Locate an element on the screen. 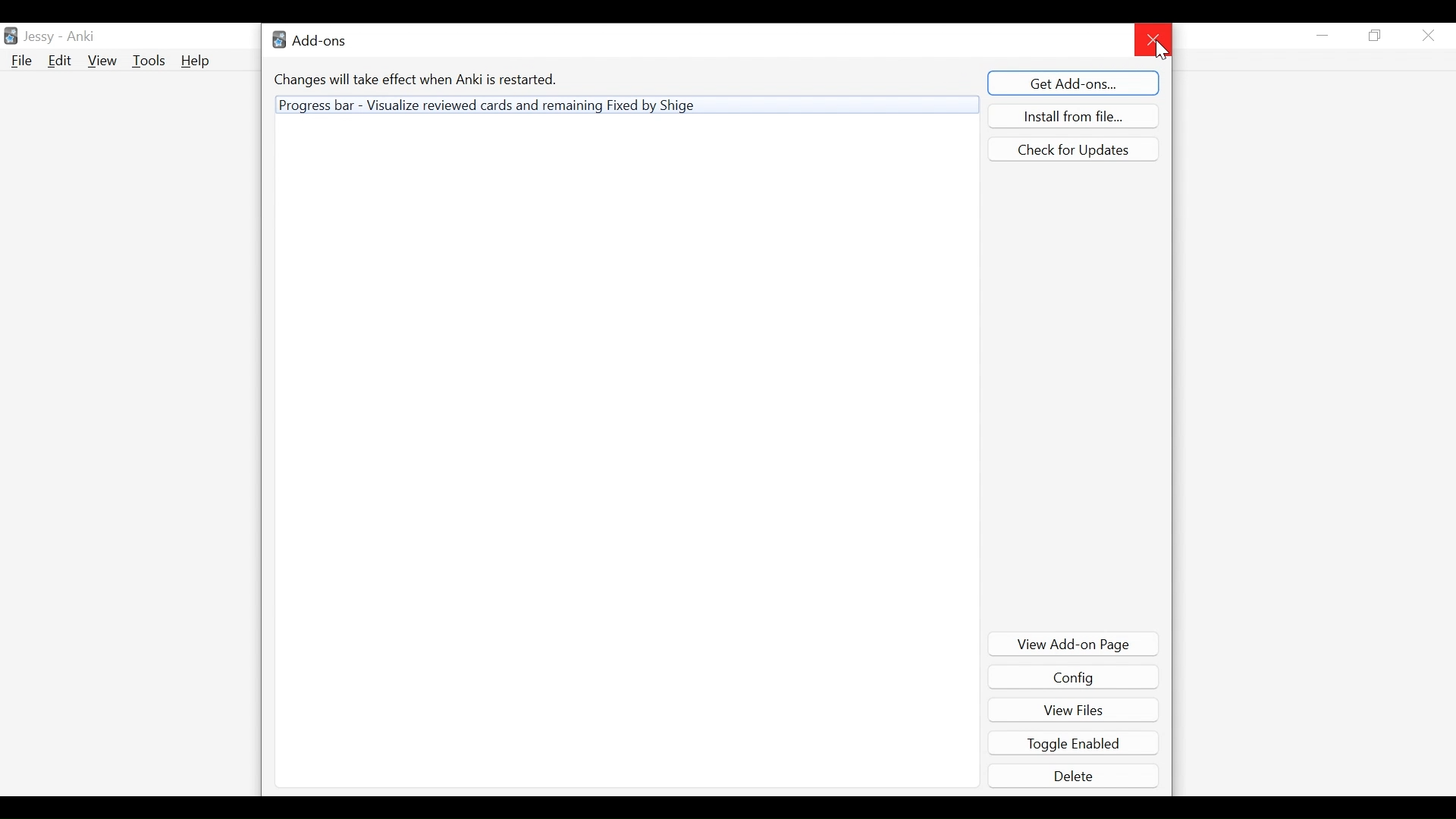 This screenshot has height=819, width=1456. Delete is located at coordinates (1075, 775).